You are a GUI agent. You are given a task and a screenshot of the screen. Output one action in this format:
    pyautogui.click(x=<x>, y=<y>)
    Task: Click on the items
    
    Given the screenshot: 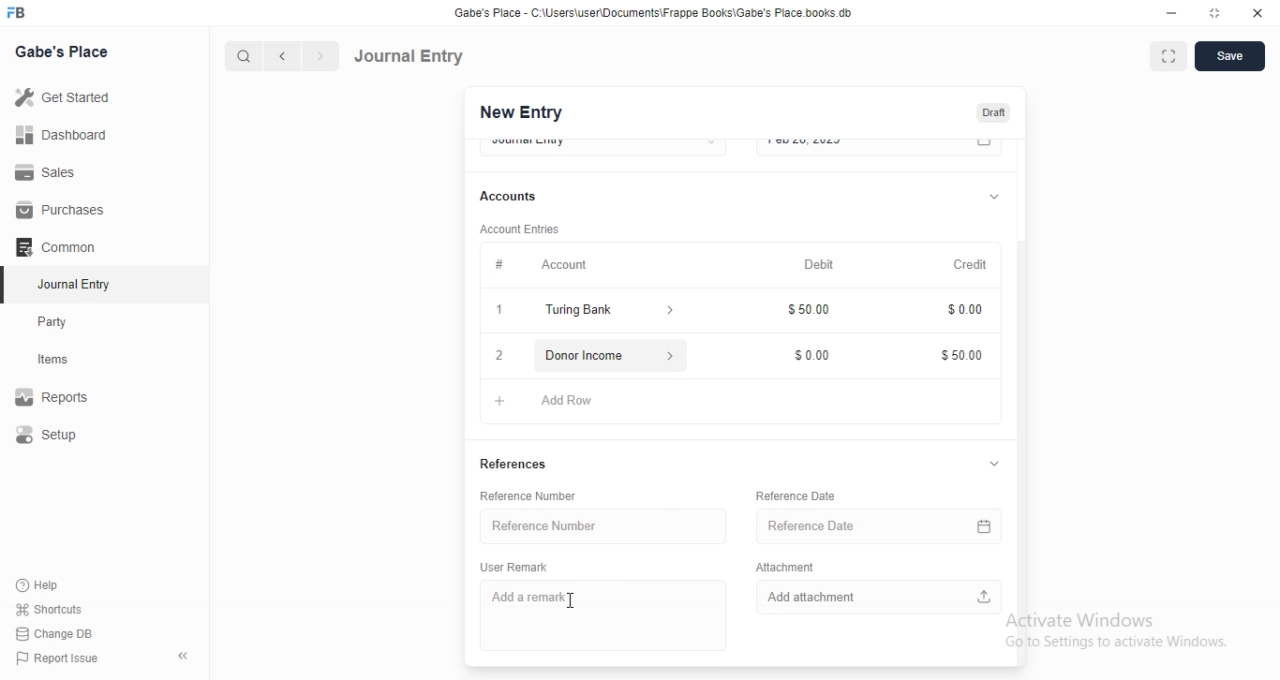 What is the action you would take?
    pyautogui.click(x=66, y=361)
    